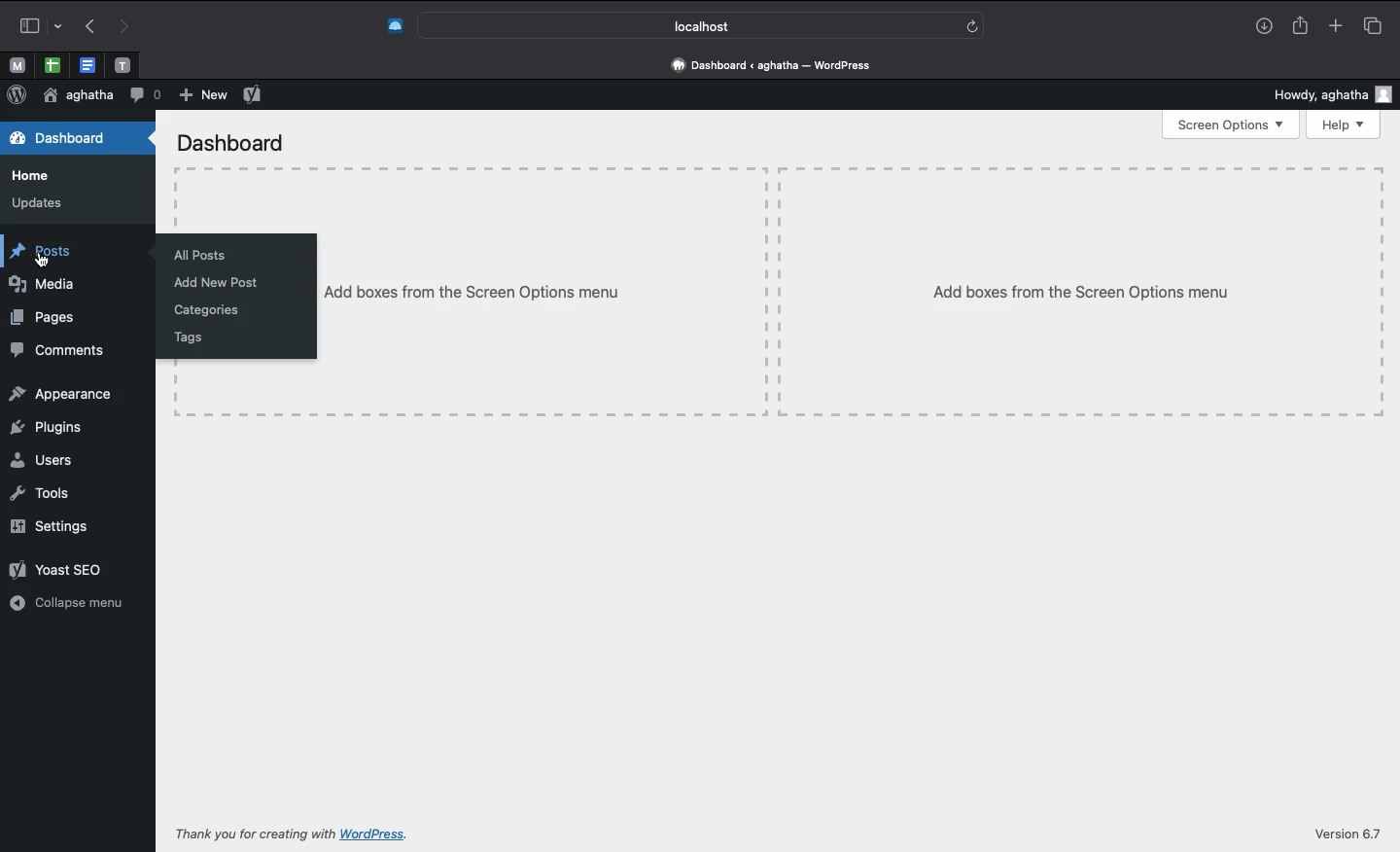 The height and width of the screenshot is (852, 1400). Describe the element at coordinates (87, 64) in the screenshot. I see `Pinned tabs` at that location.